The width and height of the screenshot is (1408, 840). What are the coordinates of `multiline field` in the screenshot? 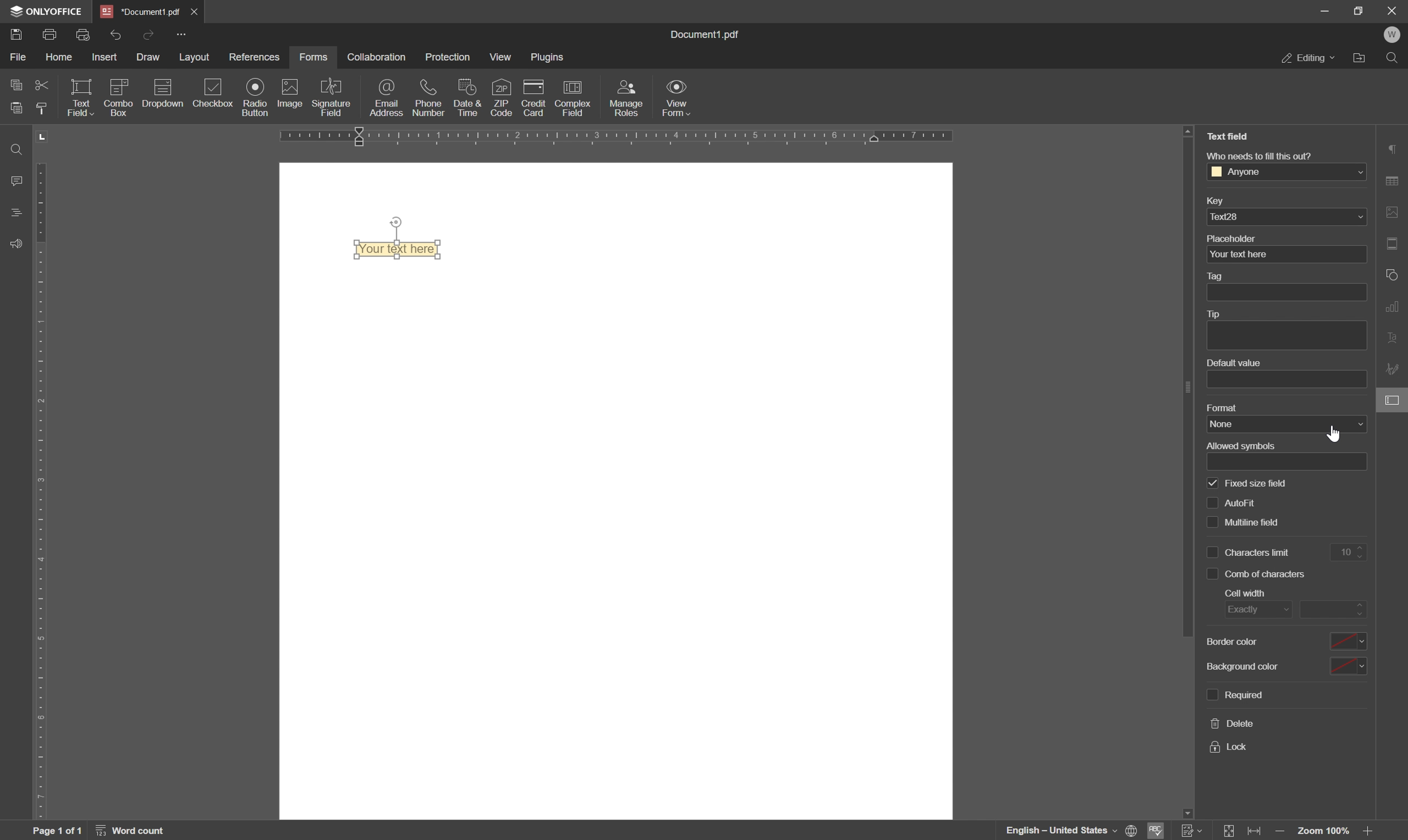 It's located at (1246, 522).